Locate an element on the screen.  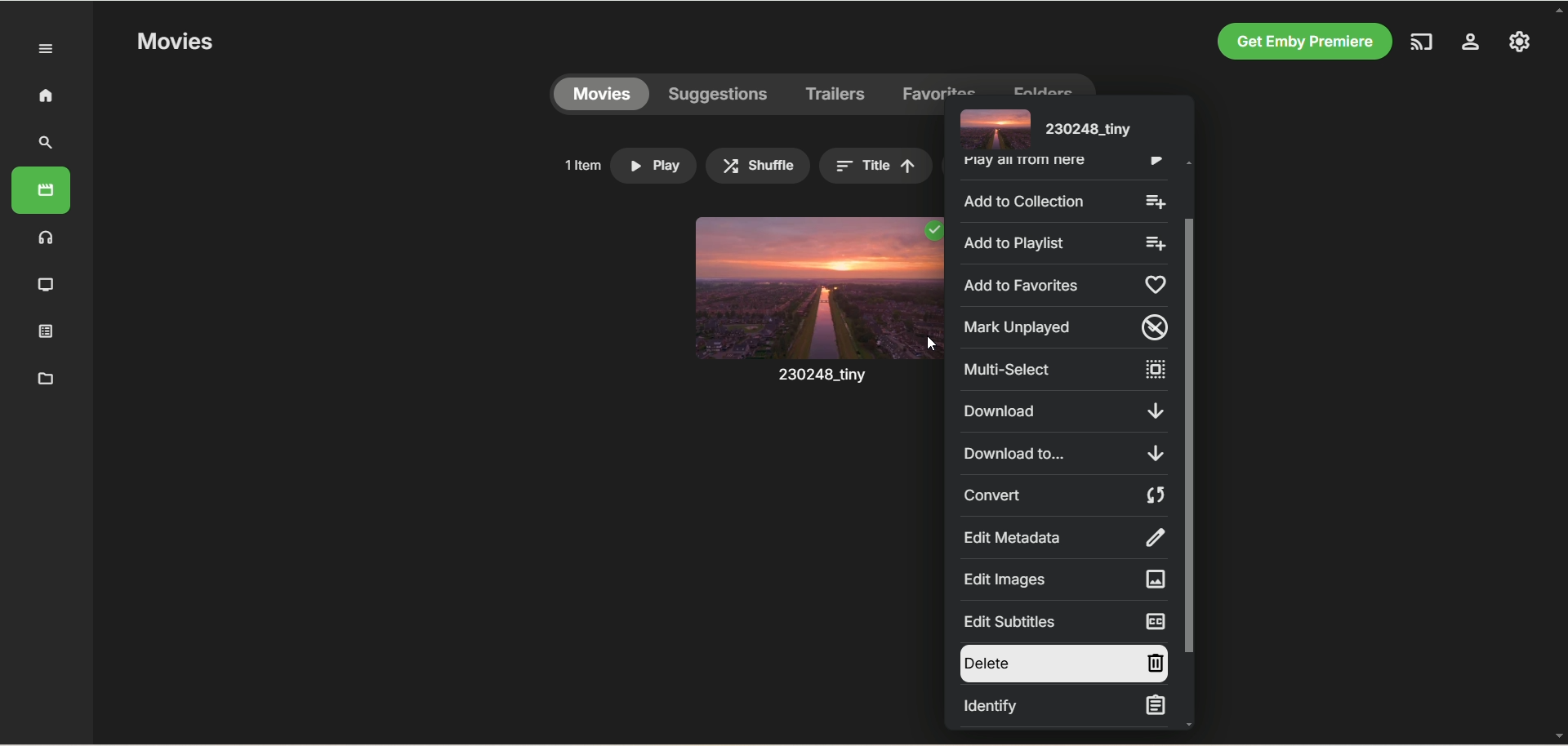
identify is located at coordinates (1062, 707).